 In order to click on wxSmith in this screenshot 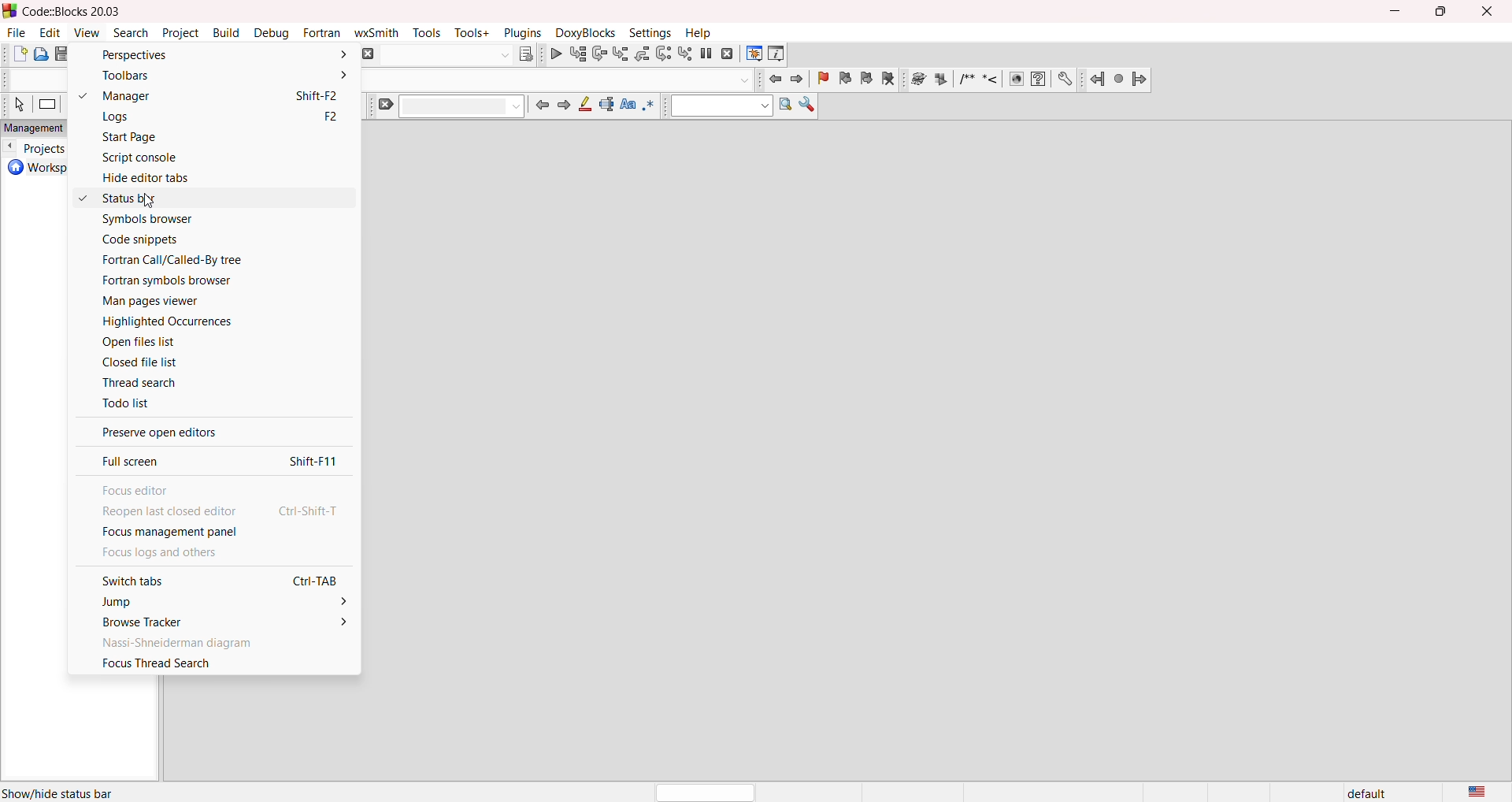, I will do `click(380, 32)`.